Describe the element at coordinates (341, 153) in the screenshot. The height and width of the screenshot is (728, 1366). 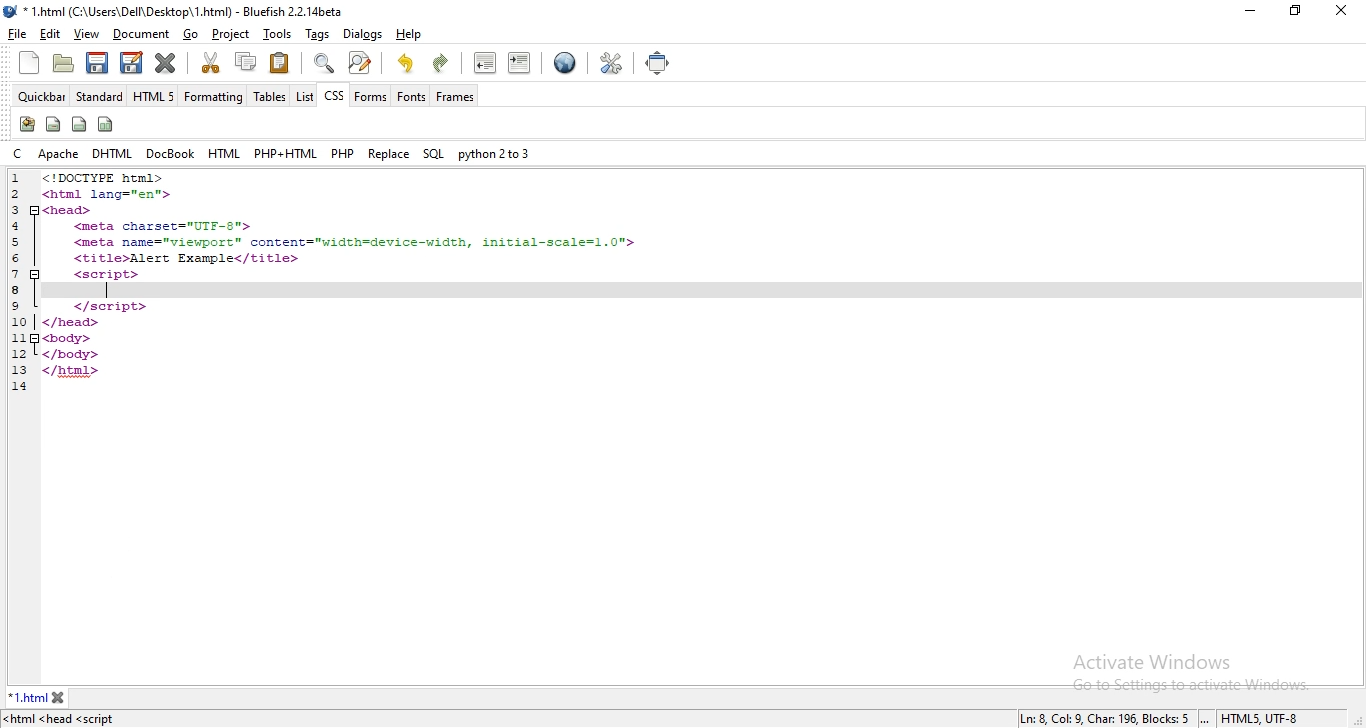
I see `php` at that location.